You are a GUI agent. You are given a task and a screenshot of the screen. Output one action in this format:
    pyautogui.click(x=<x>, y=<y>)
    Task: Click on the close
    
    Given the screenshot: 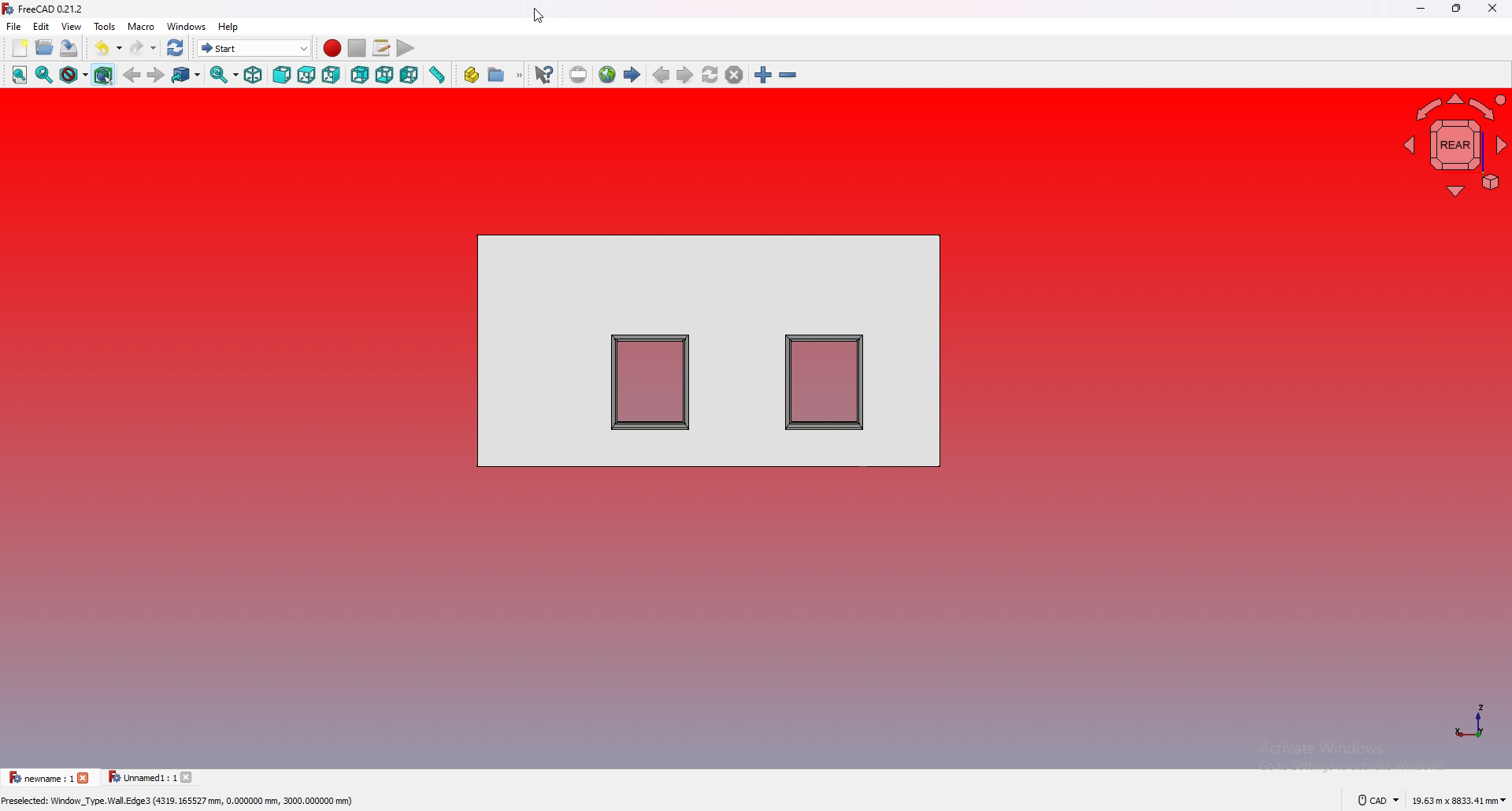 What is the action you would take?
    pyautogui.click(x=1493, y=8)
    